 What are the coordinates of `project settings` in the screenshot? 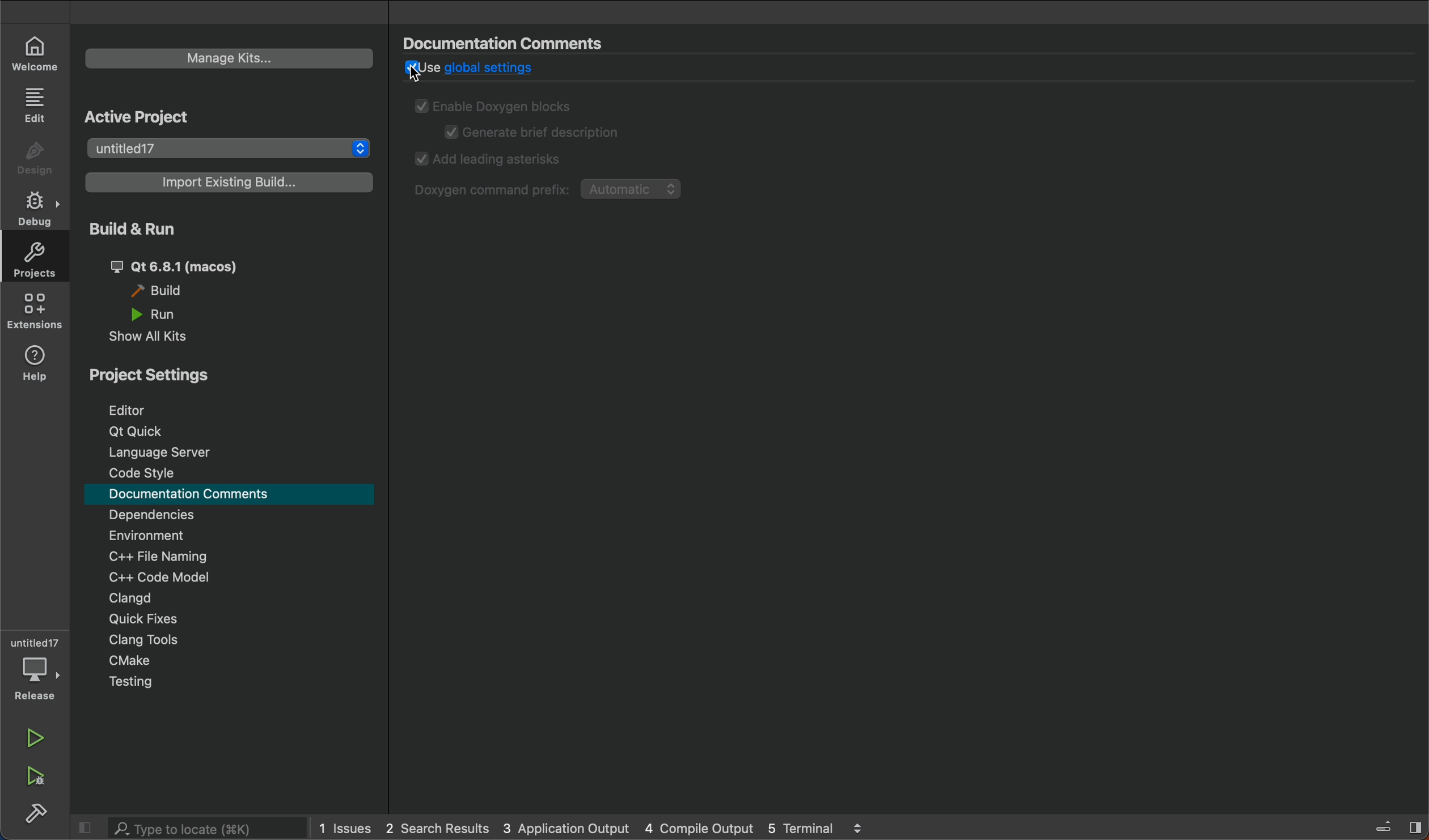 It's located at (231, 375).